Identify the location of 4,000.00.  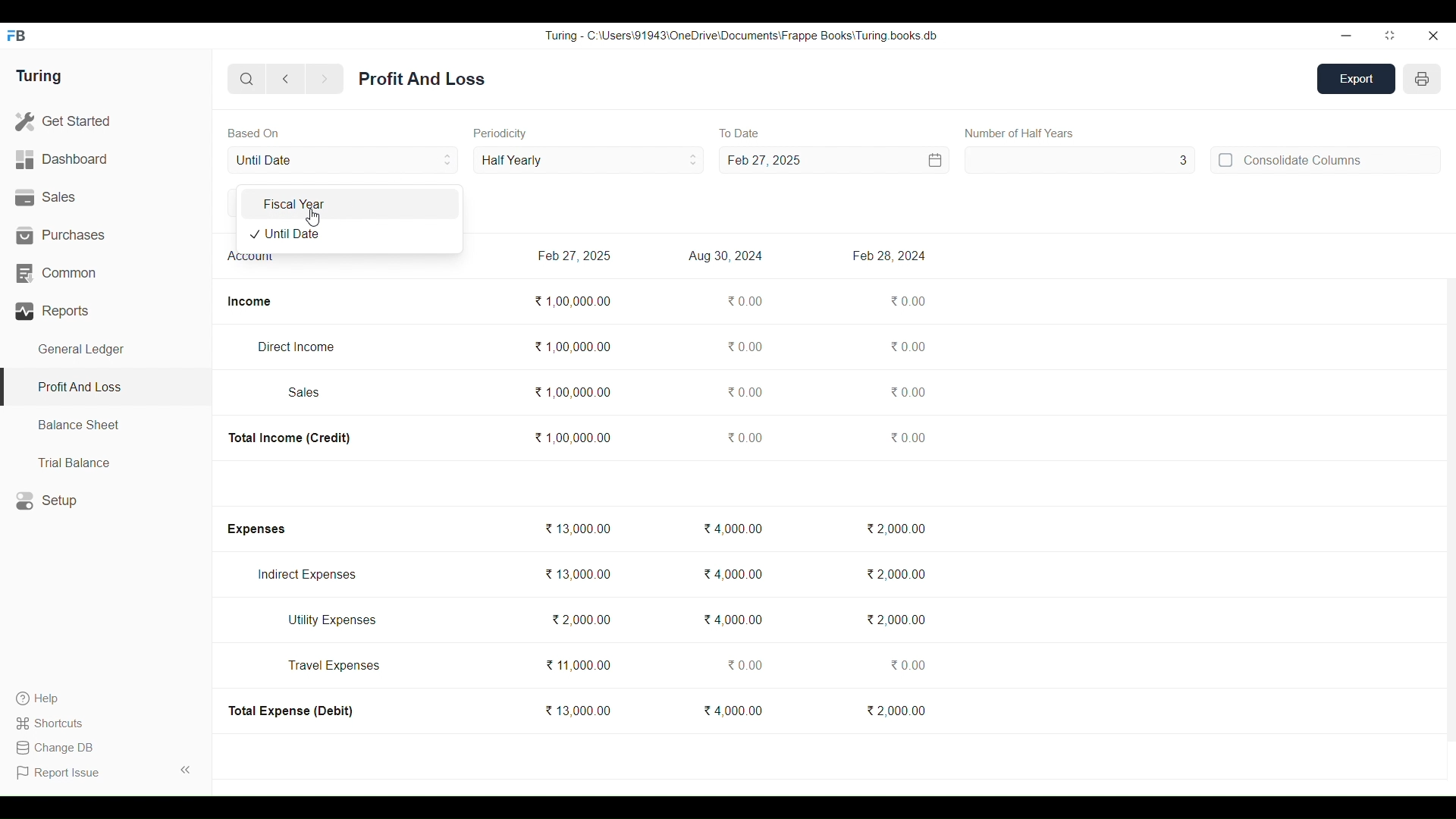
(733, 574).